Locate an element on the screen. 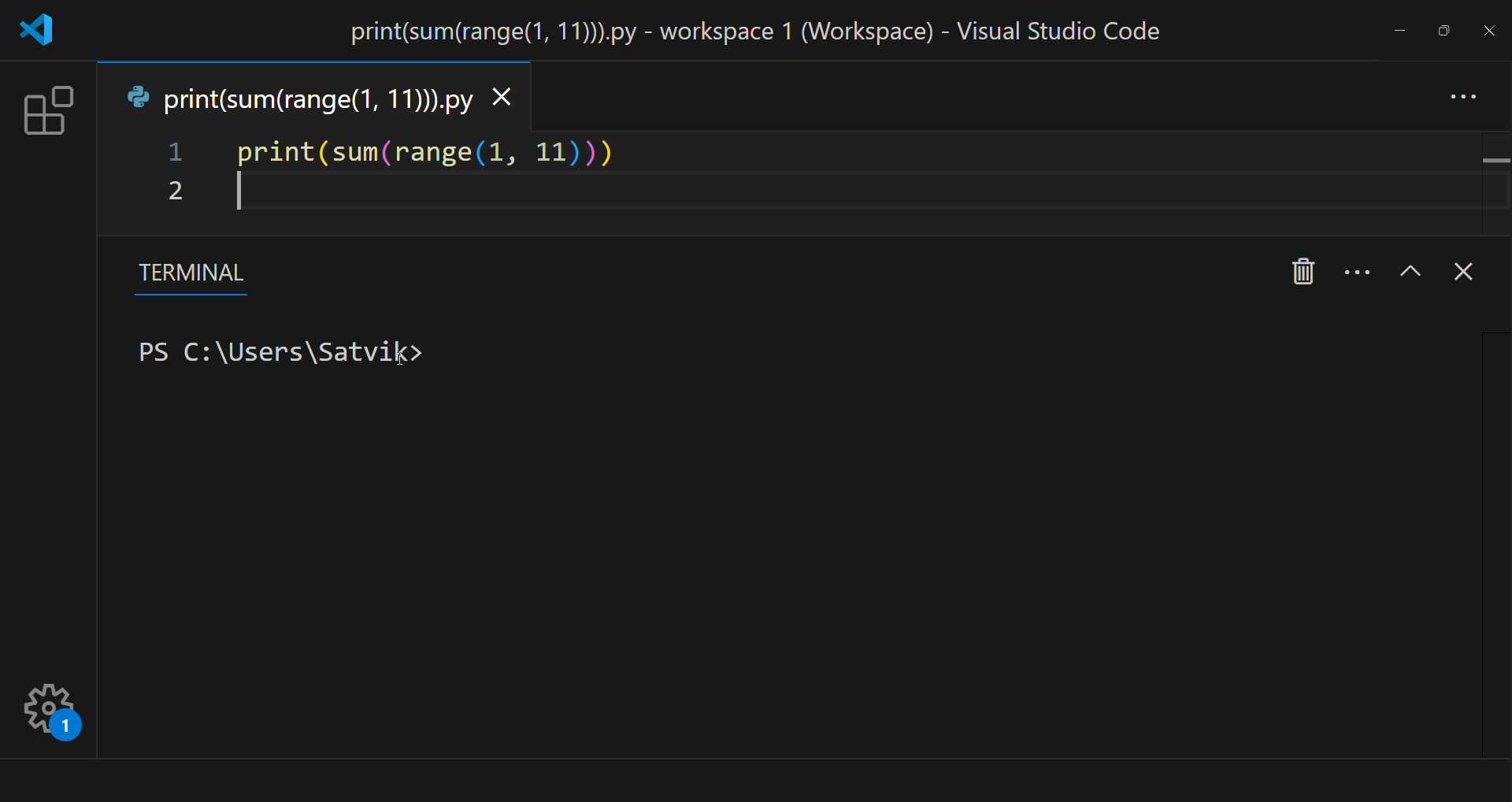  close terminal is located at coordinates (1467, 273).